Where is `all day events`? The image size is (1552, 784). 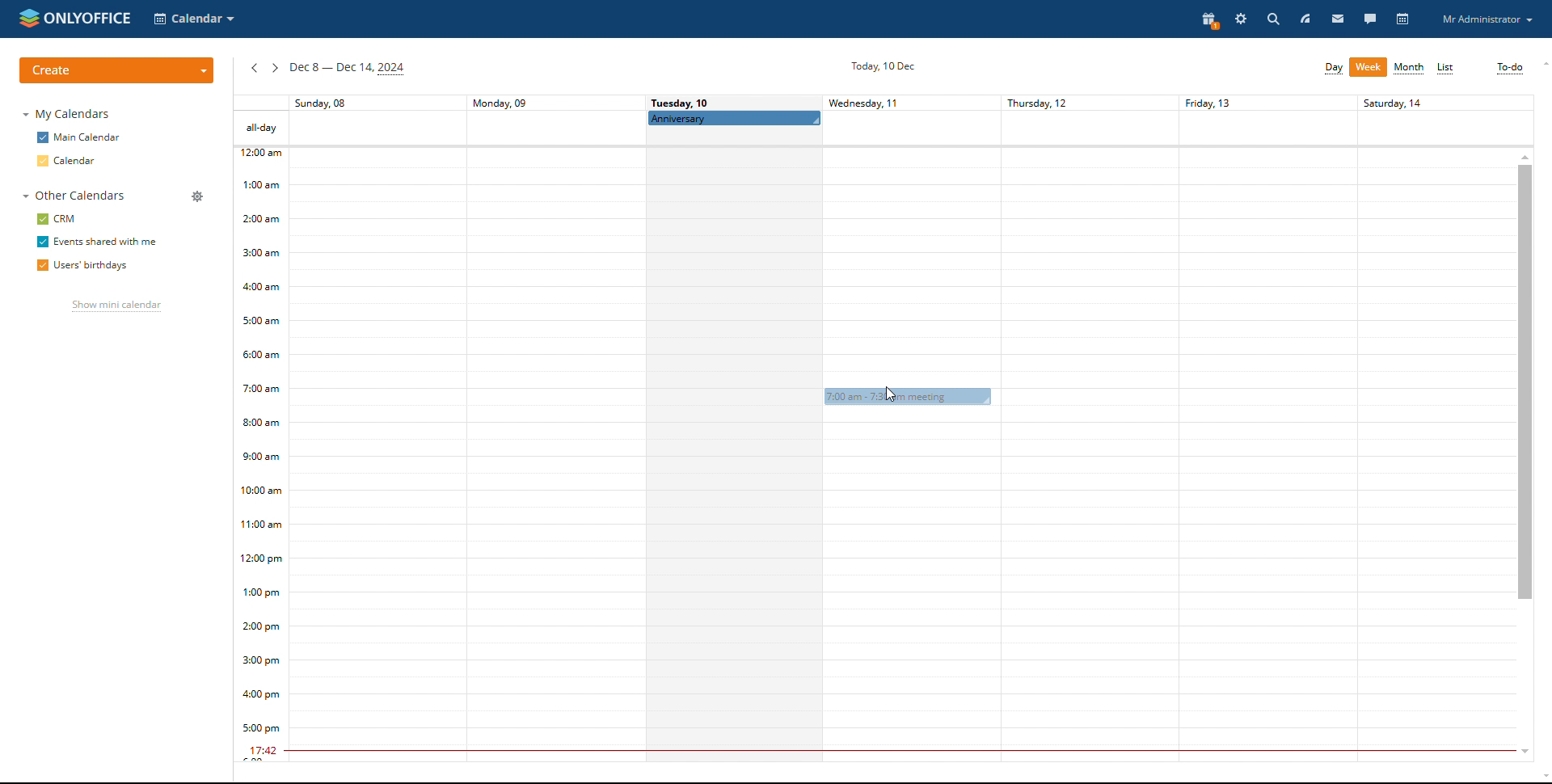
all day events is located at coordinates (883, 129).